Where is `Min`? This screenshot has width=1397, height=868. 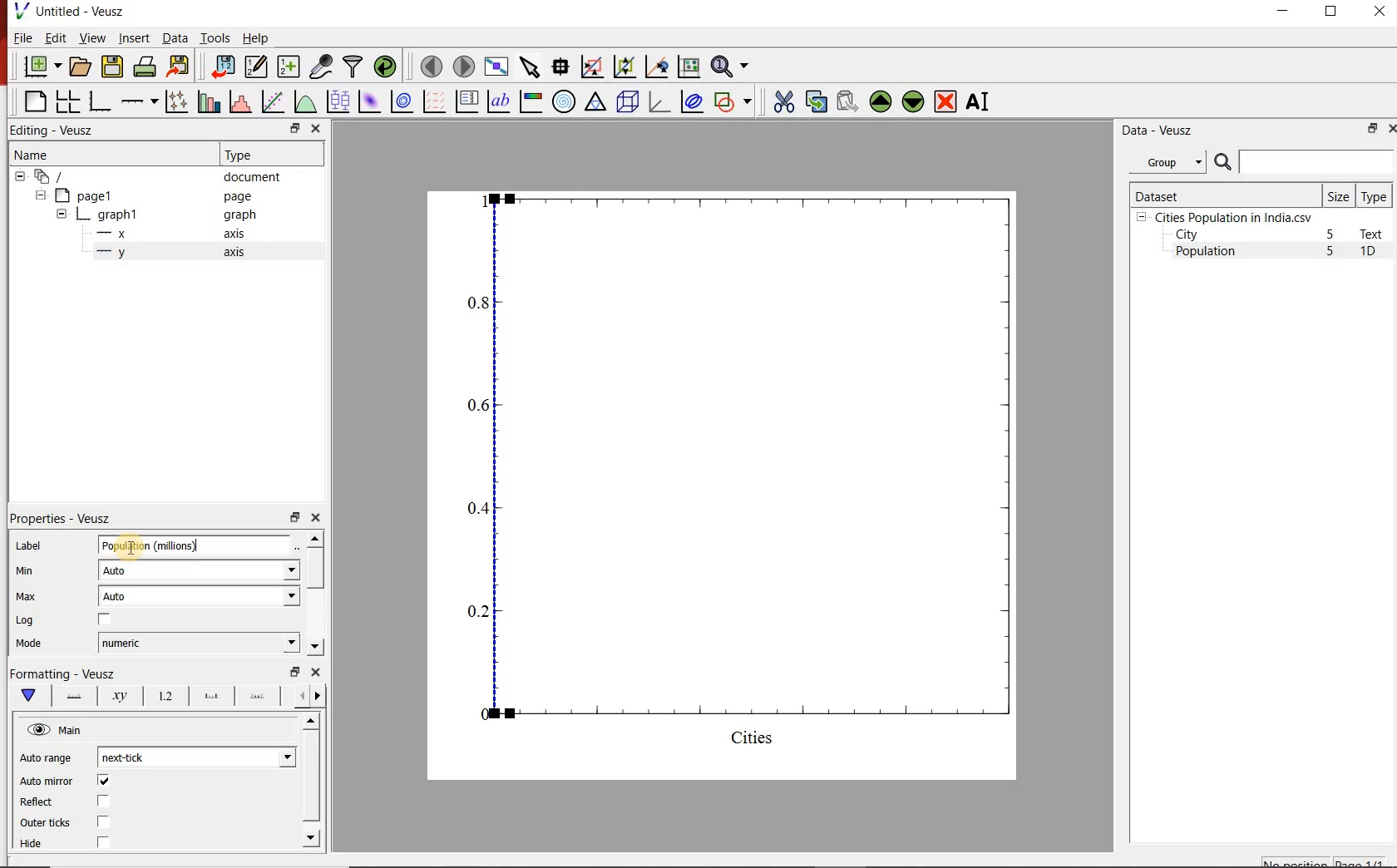 Min is located at coordinates (25, 571).